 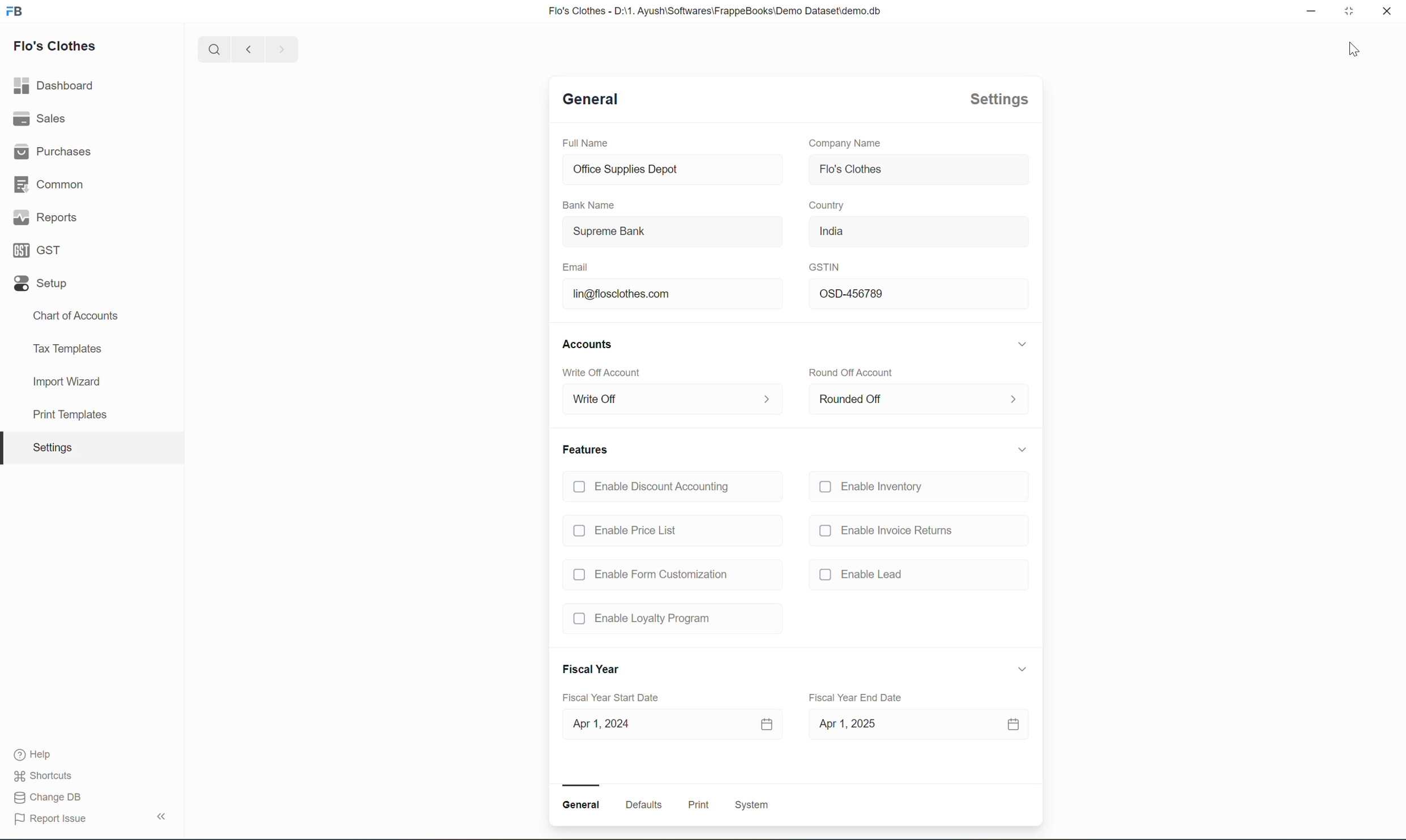 I want to click on Expand/collapse, so click(x=1023, y=343).